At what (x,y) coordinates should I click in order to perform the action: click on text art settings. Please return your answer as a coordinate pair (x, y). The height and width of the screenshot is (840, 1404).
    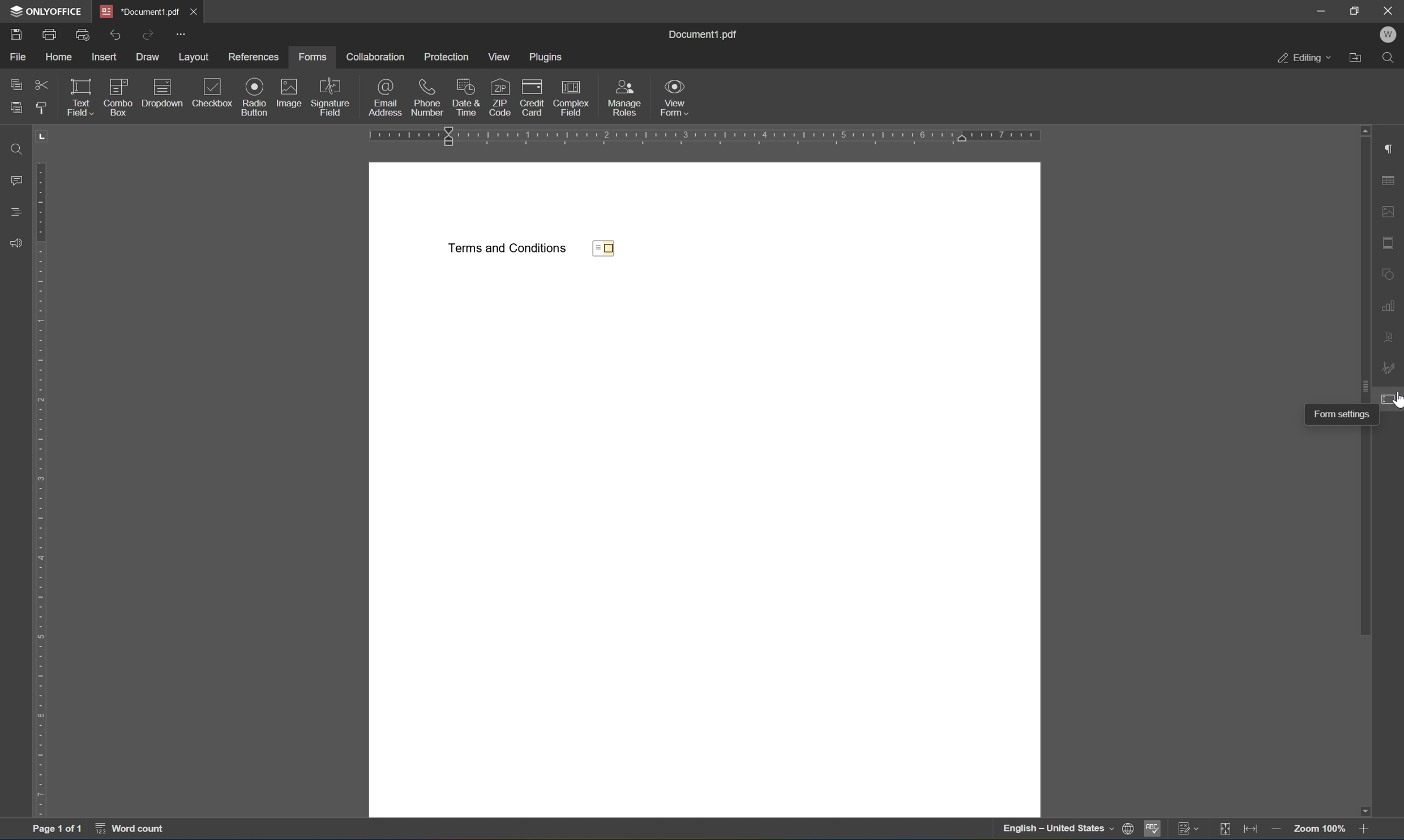
    Looking at the image, I should click on (1386, 336).